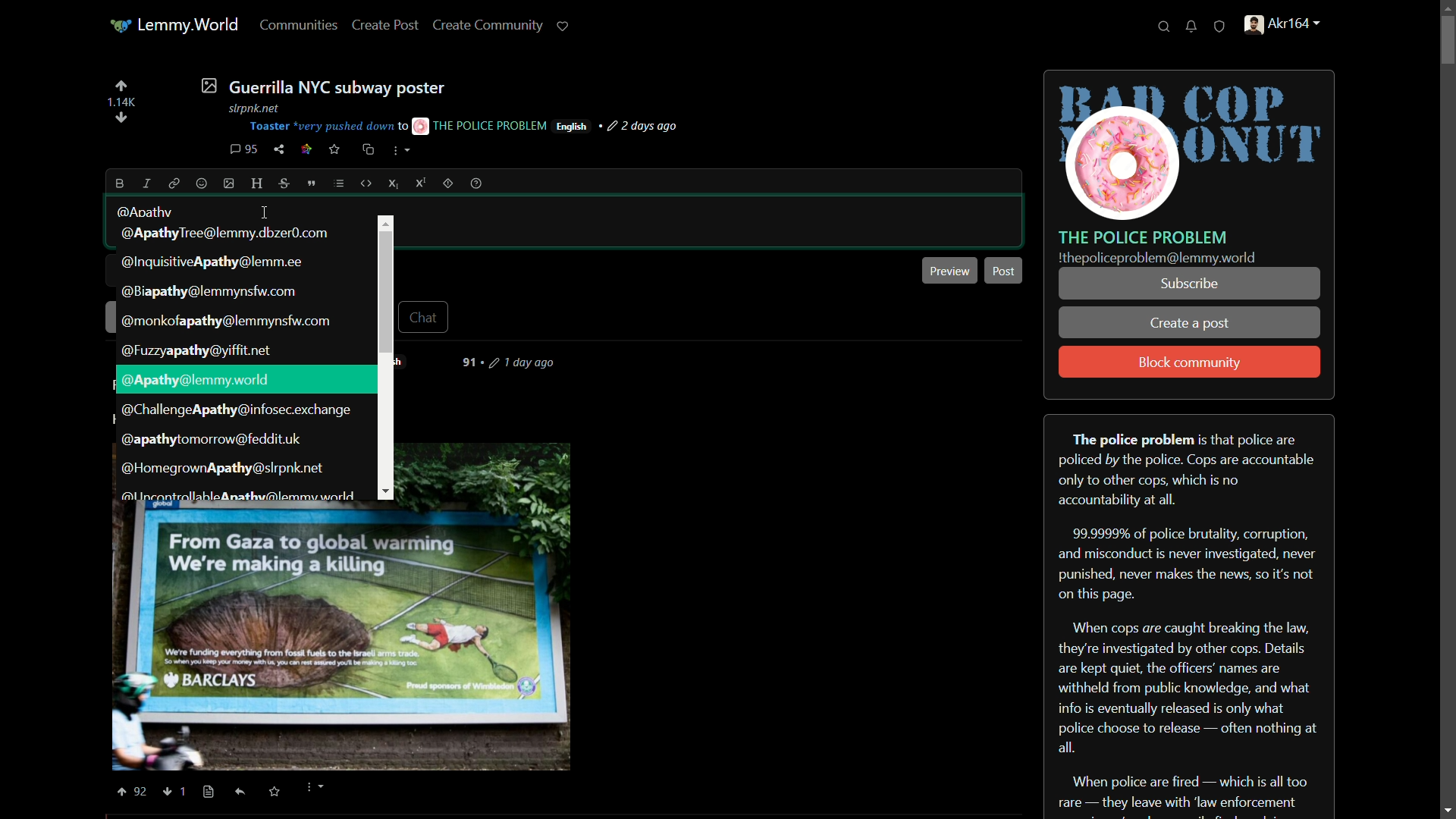 This screenshot has height=819, width=1456. I want to click on , so click(209, 792).